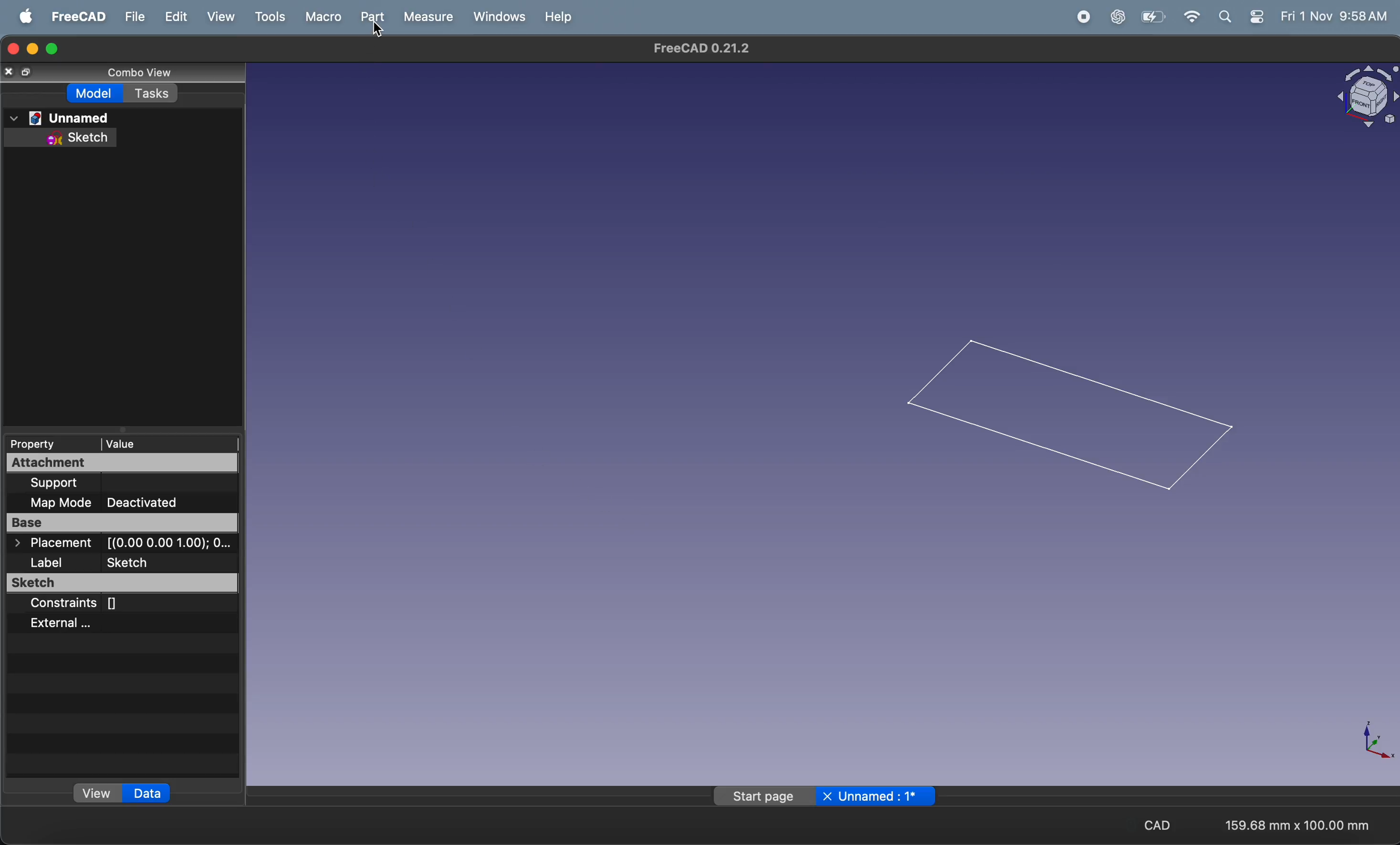 The height and width of the screenshot is (845, 1400). I want to click on time and date, so click(1336, 16).